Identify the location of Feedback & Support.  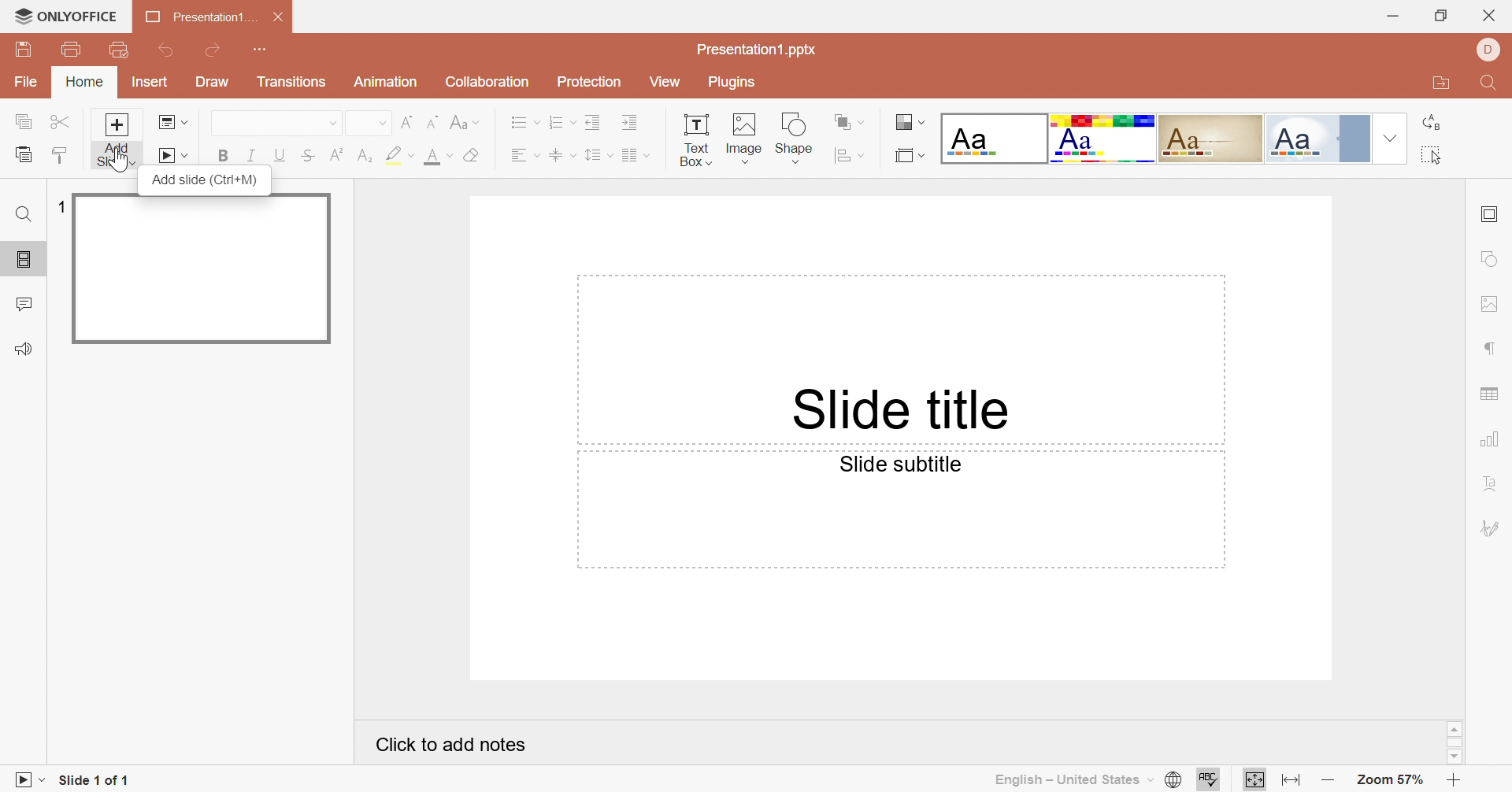
(26, 346).